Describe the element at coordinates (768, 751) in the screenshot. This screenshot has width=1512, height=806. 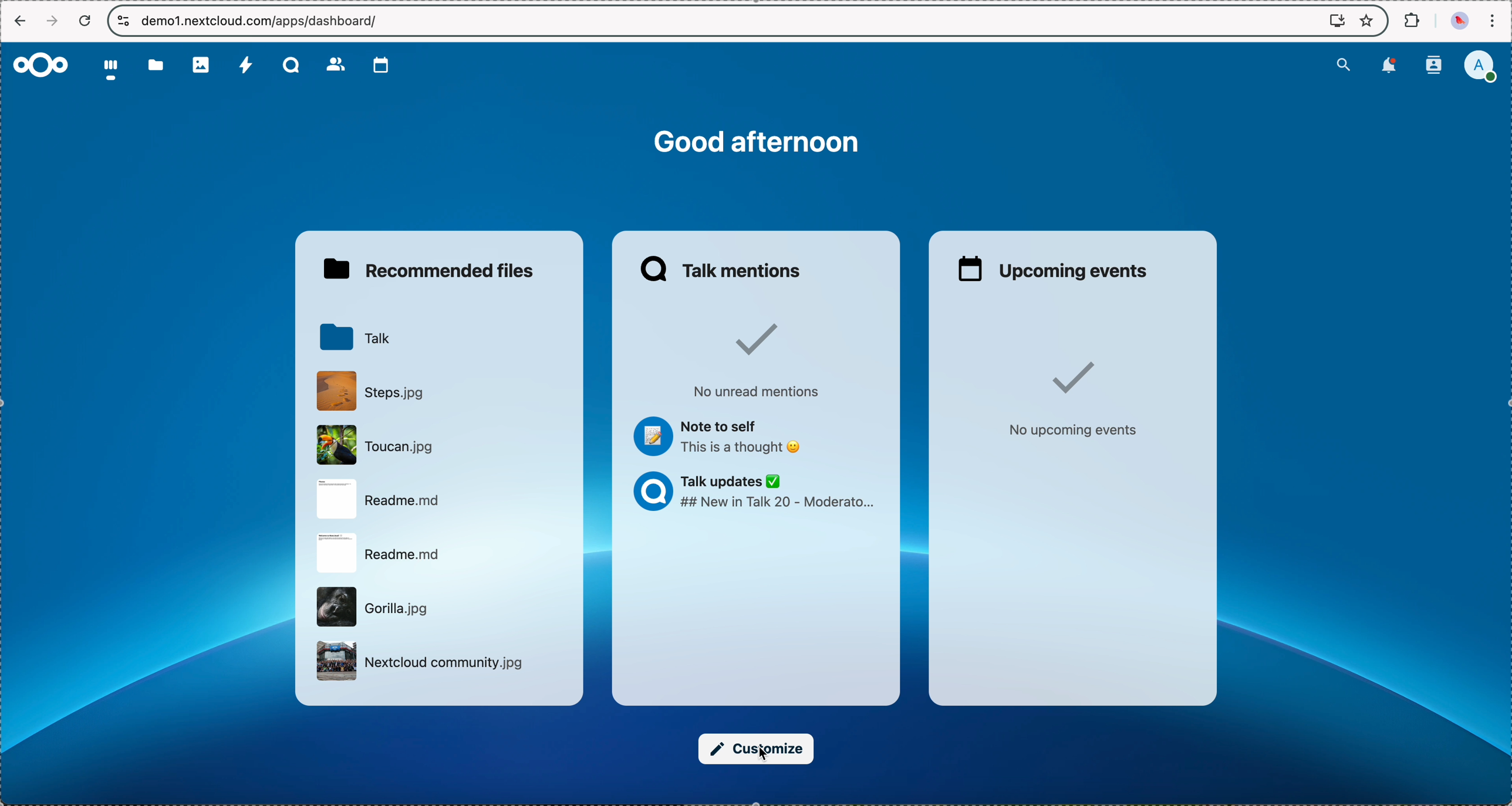
I see `cursor` at that location.